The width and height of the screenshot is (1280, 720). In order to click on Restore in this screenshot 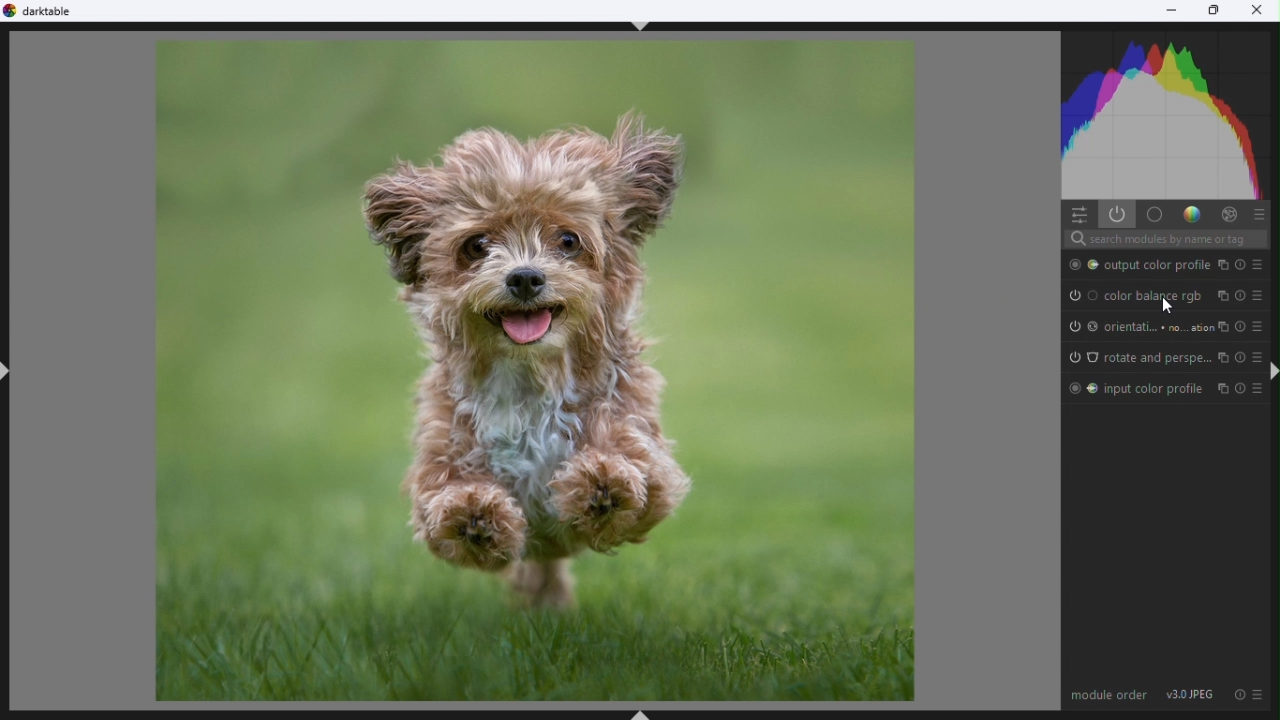, I will do `click(1215, 11)`.